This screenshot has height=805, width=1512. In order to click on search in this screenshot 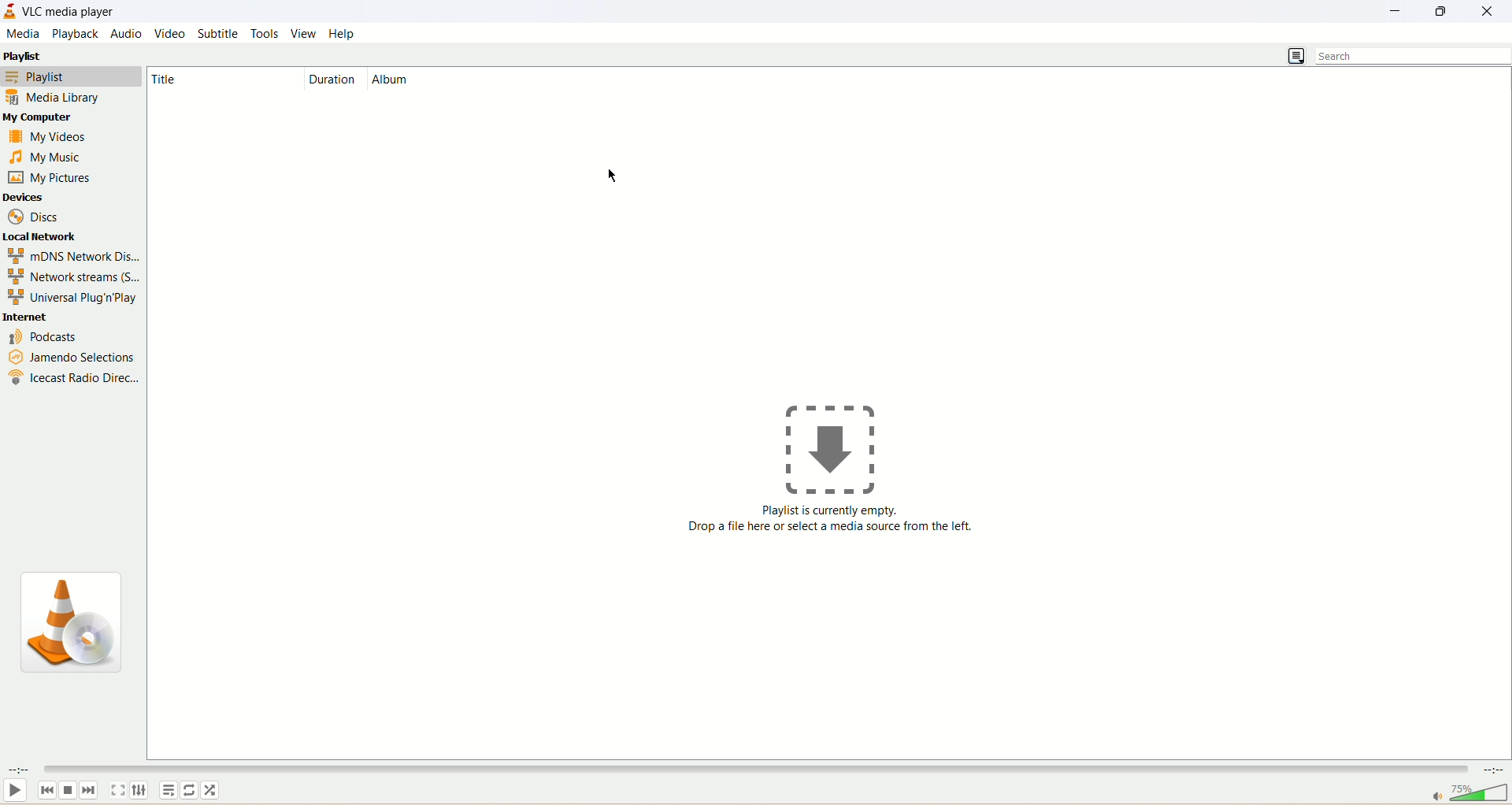, I will do `click(1414, 56)`.